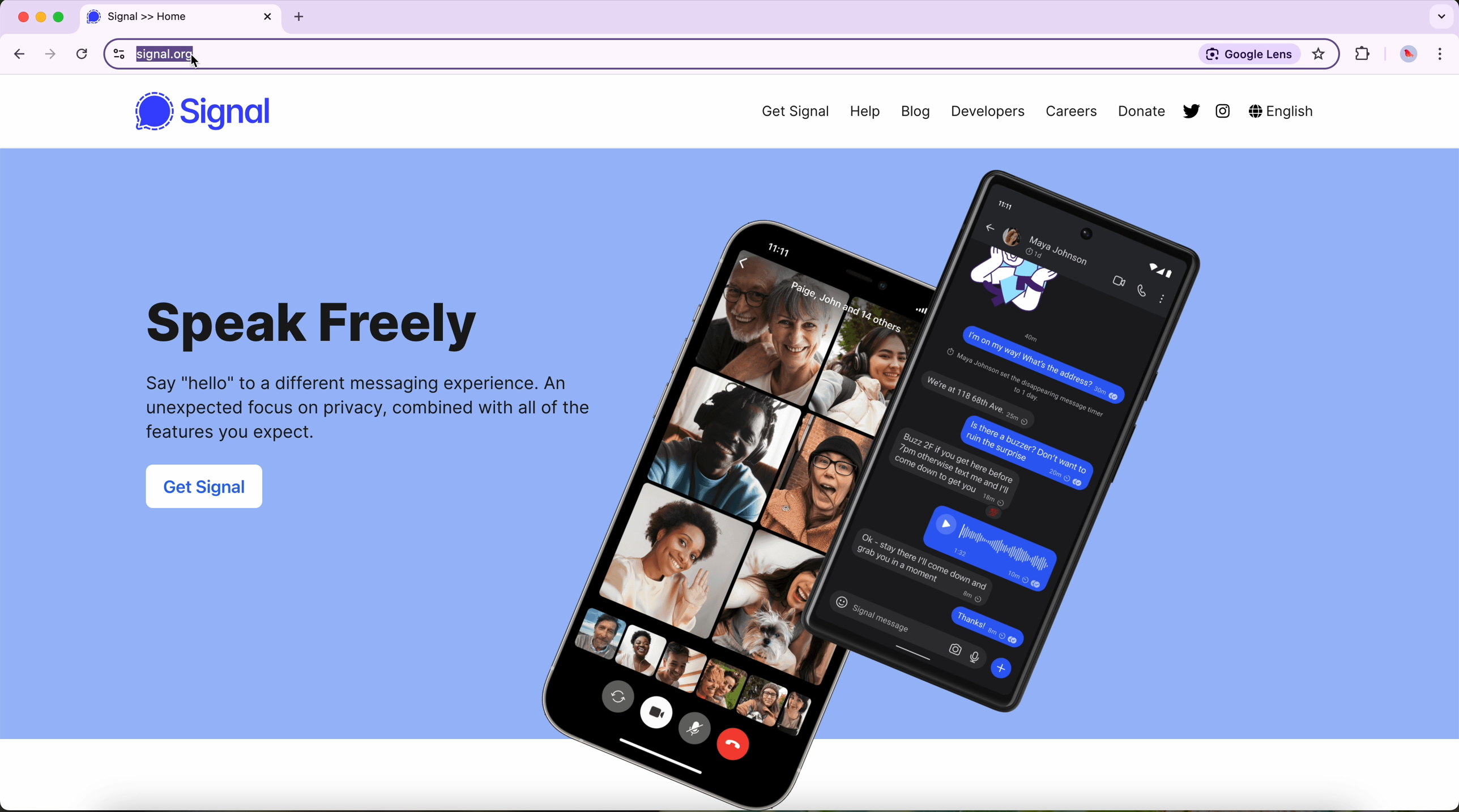 Image resolution: width=1459 pixels, height=812 pixels. What do you see at coordinates (298, 19) in the screenshot?
I see `add tab` at bounding box center [298, 19].